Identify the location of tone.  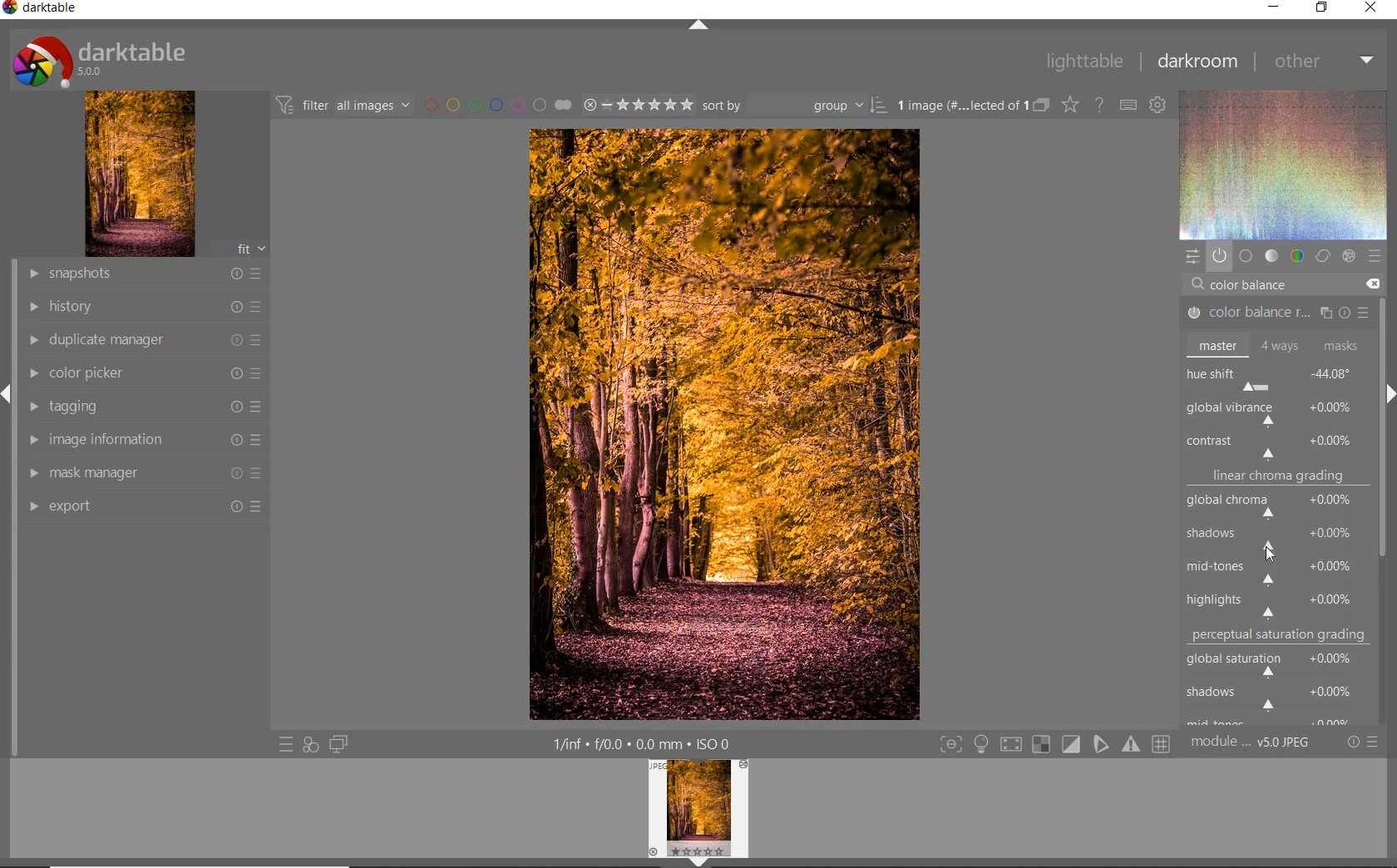
(1271, 257).